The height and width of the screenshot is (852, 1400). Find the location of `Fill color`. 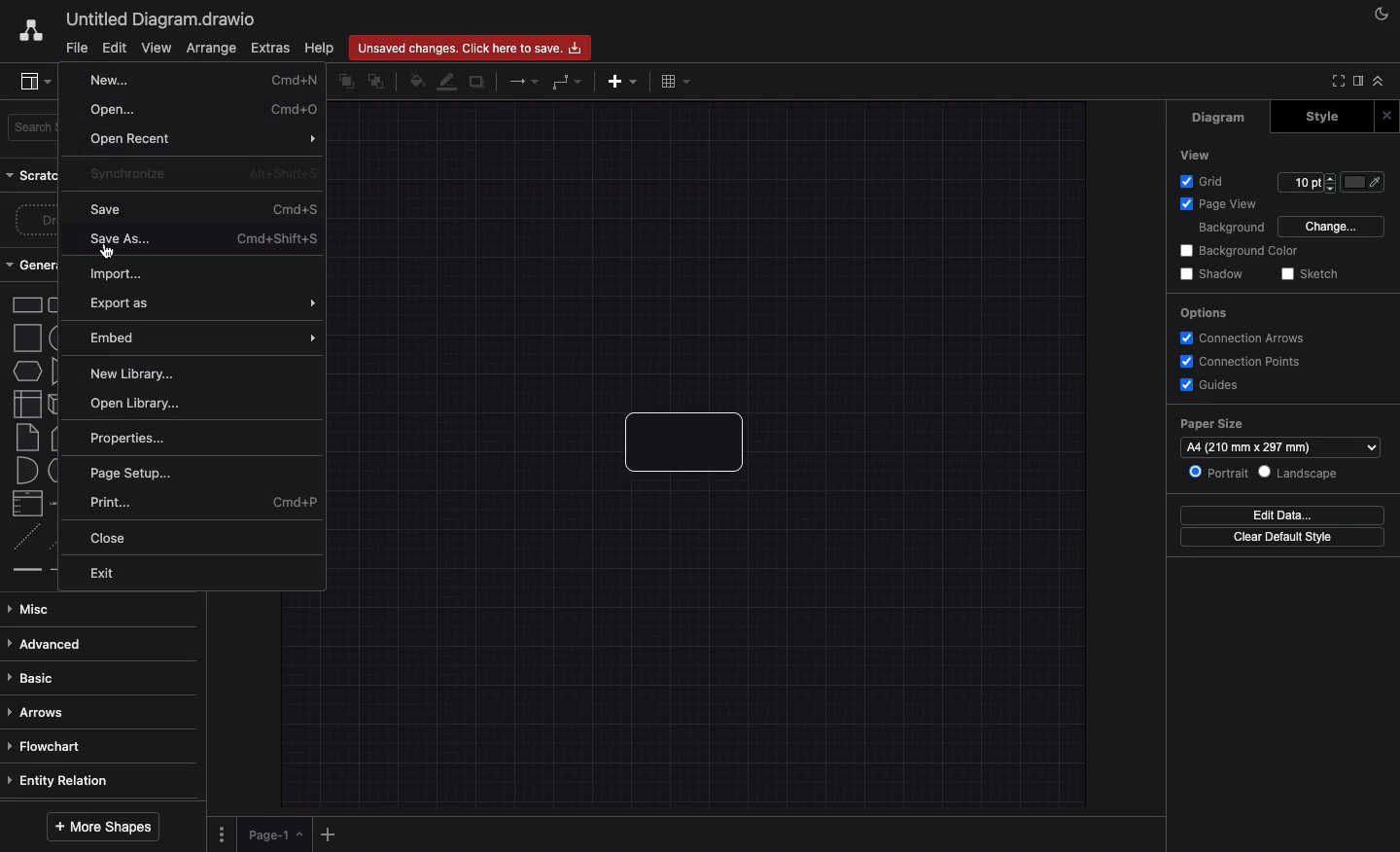

Fill color is located at coordinates (419, 81).